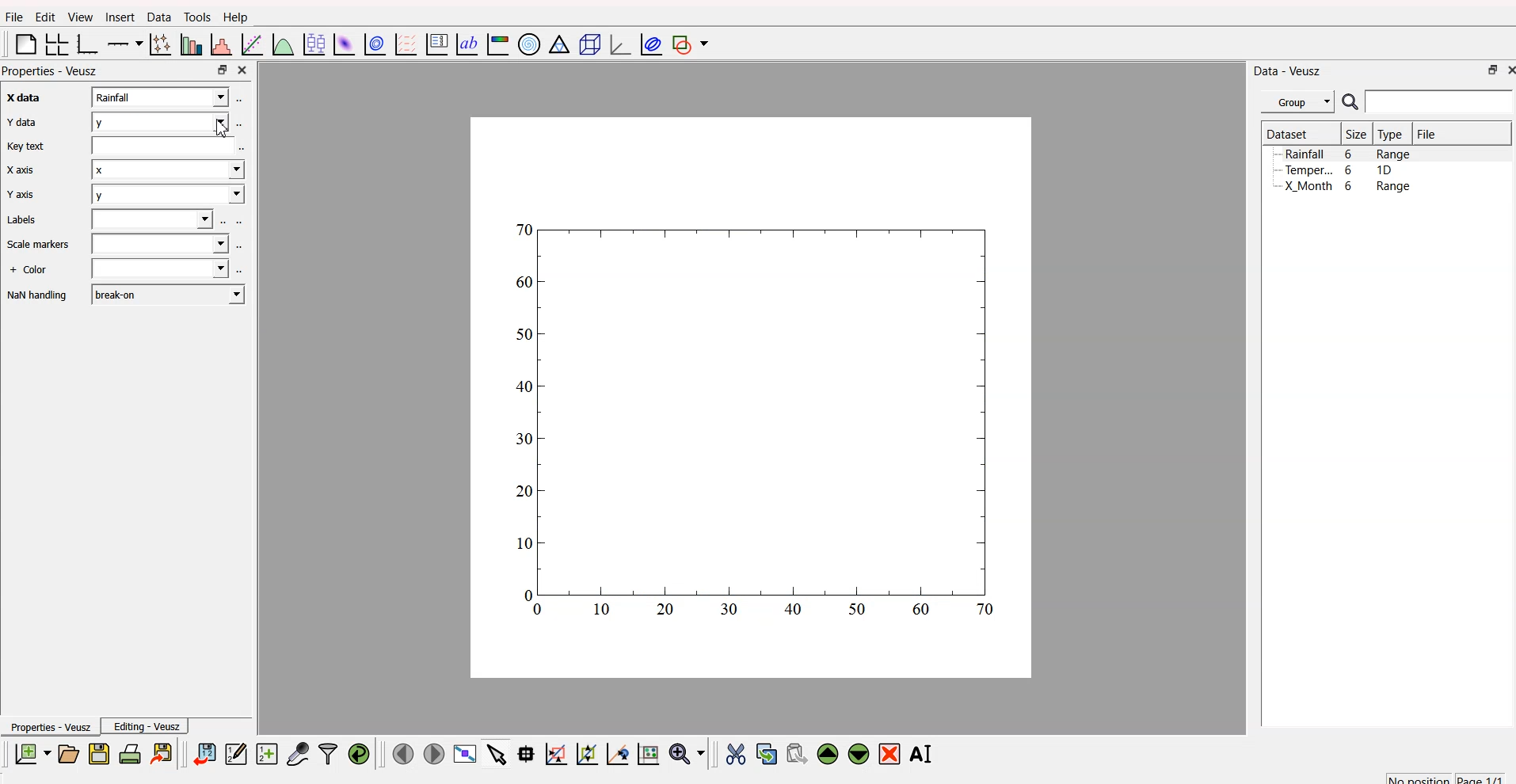 The width and height of the screenshot is (1516, 784). What do you see at coordinates (1354, 135) in the screenshot?
I see `| Size` at bounding box center [1354, 135].